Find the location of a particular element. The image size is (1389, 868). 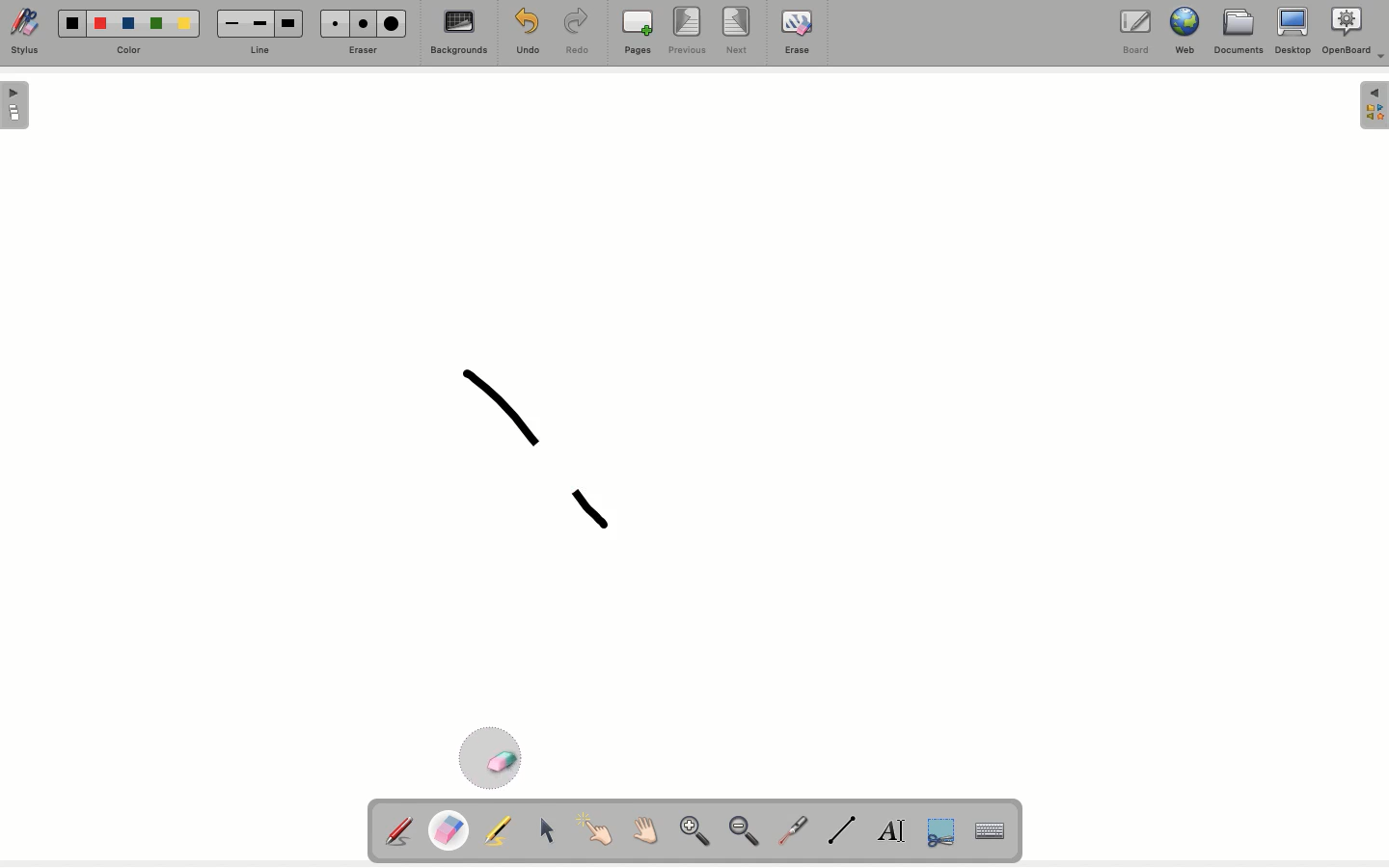

Point is located at coordinates (594, 827).